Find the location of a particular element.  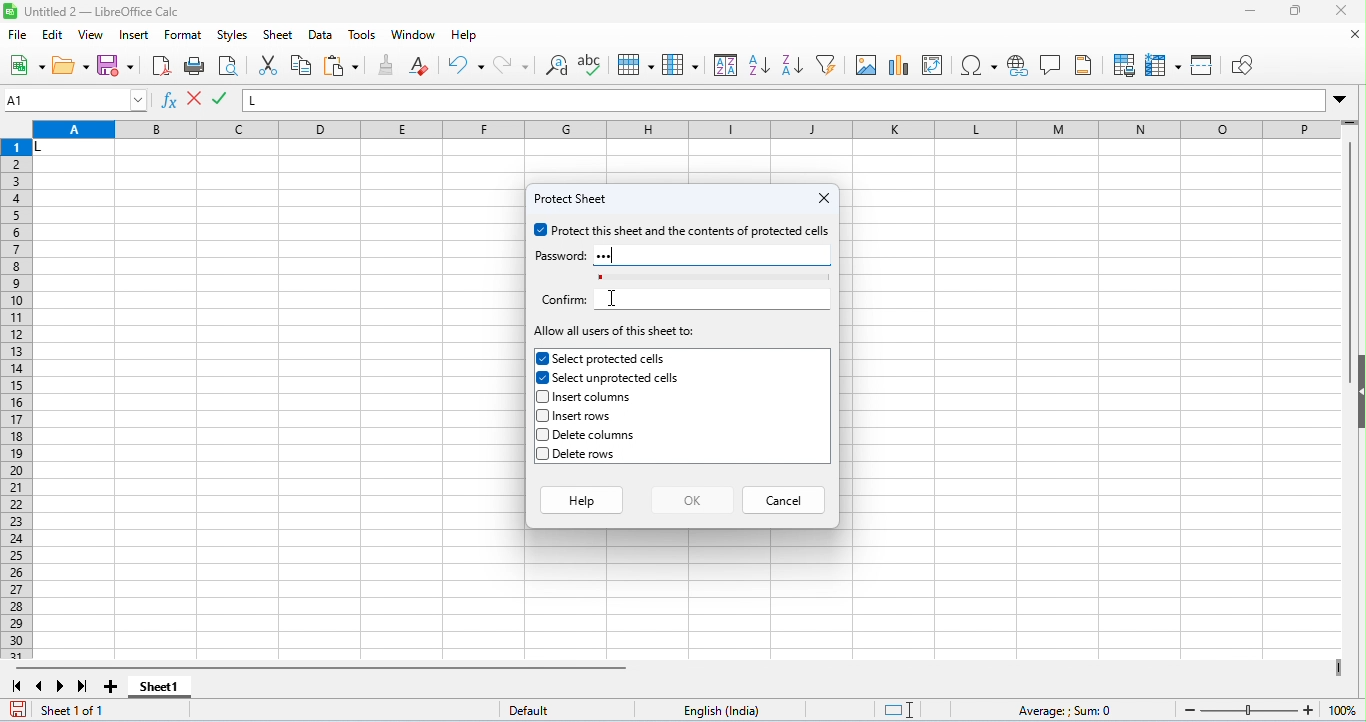

insert chart is located at coordinates (900, 67).